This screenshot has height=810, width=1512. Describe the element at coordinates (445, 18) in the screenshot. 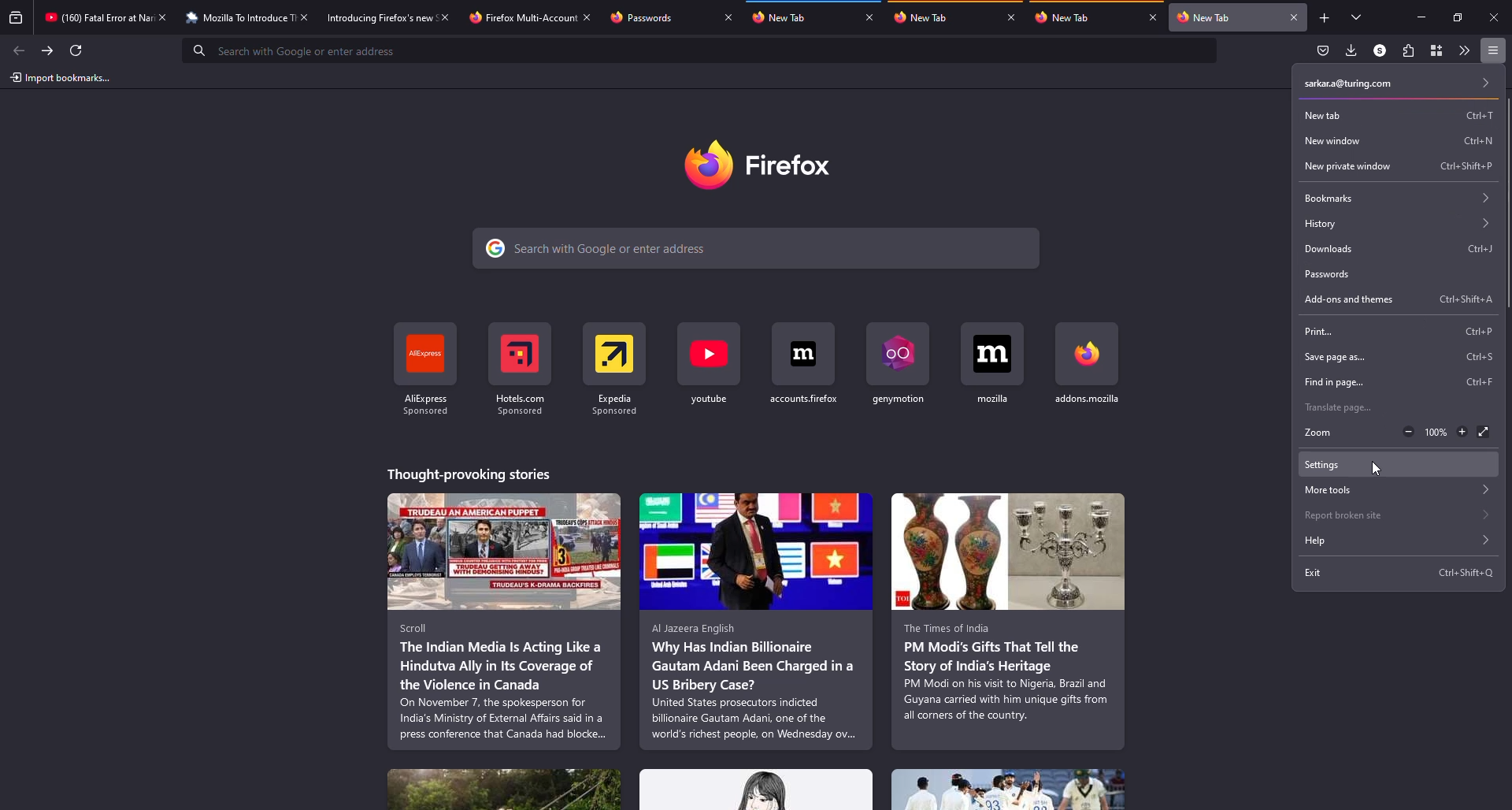

I see `close` at that location.